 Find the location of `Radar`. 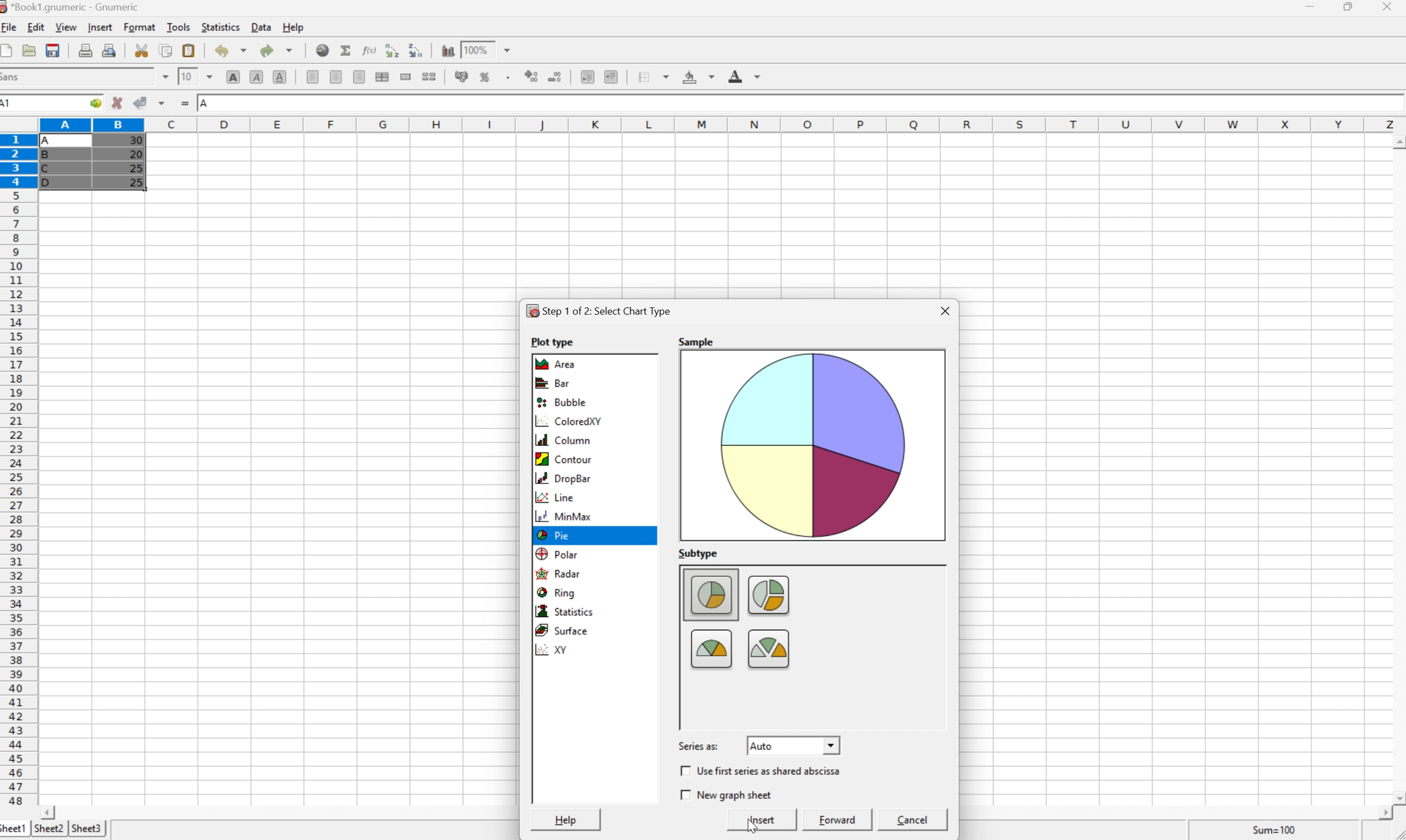

Radar is located at coordinates (558, 573).